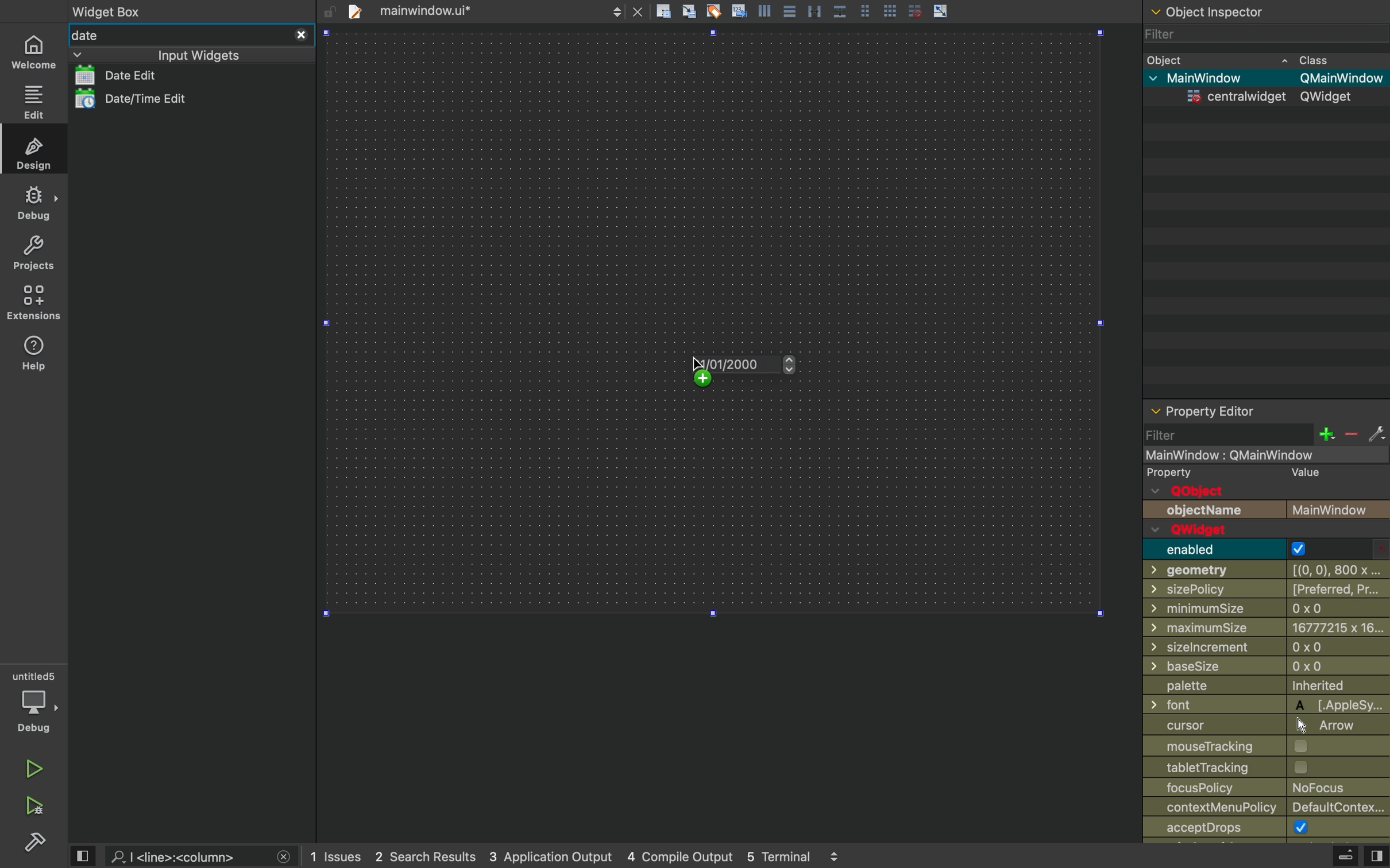 The image size is (1390, 868). Describe the element at coordinates (1269, 100) in the screenshot. I see `centrawidget` at that location.